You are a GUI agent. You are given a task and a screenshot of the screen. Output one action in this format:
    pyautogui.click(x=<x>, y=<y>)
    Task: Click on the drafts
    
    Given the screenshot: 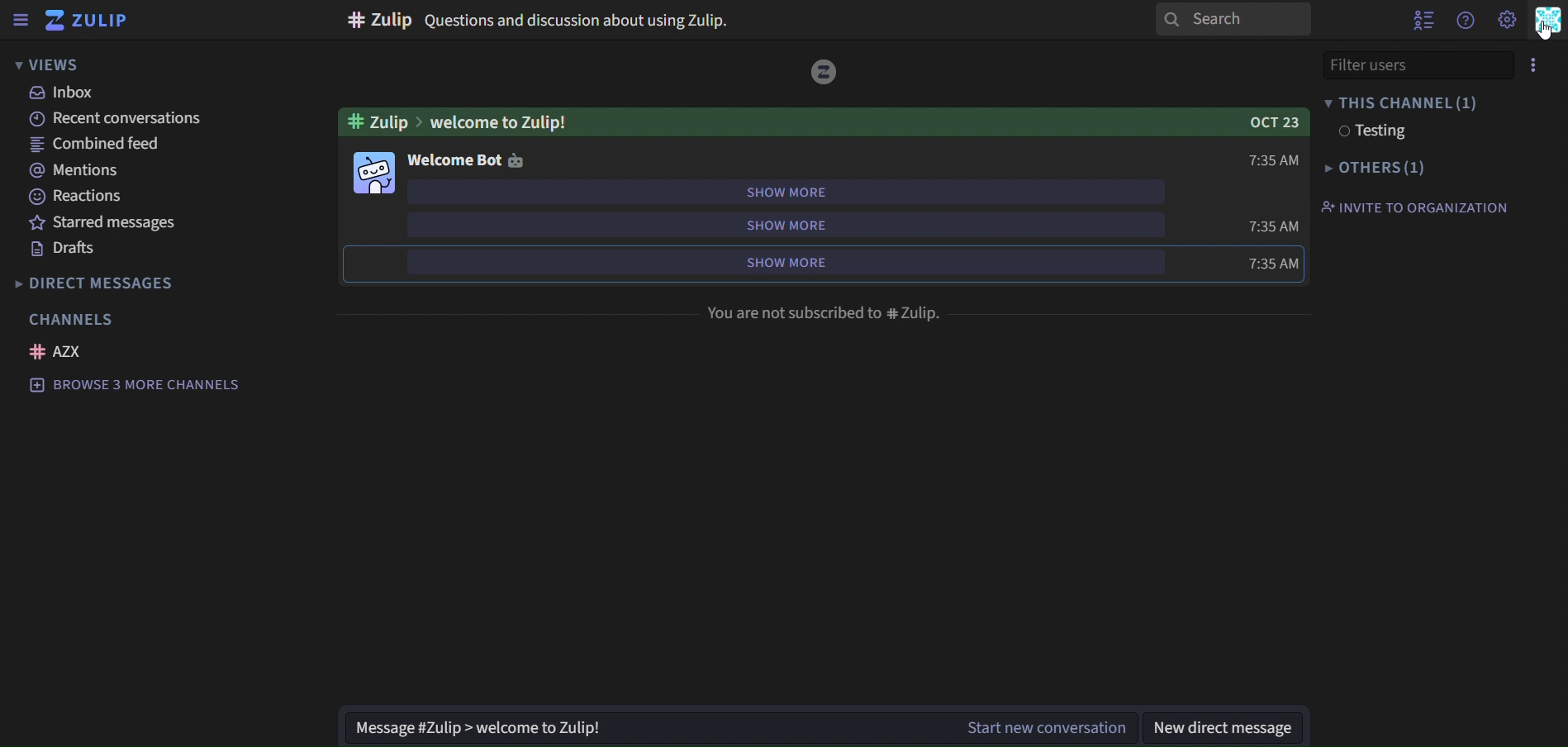 What is the action you would take?
    pyautogui.click(x=66, y=250)
    